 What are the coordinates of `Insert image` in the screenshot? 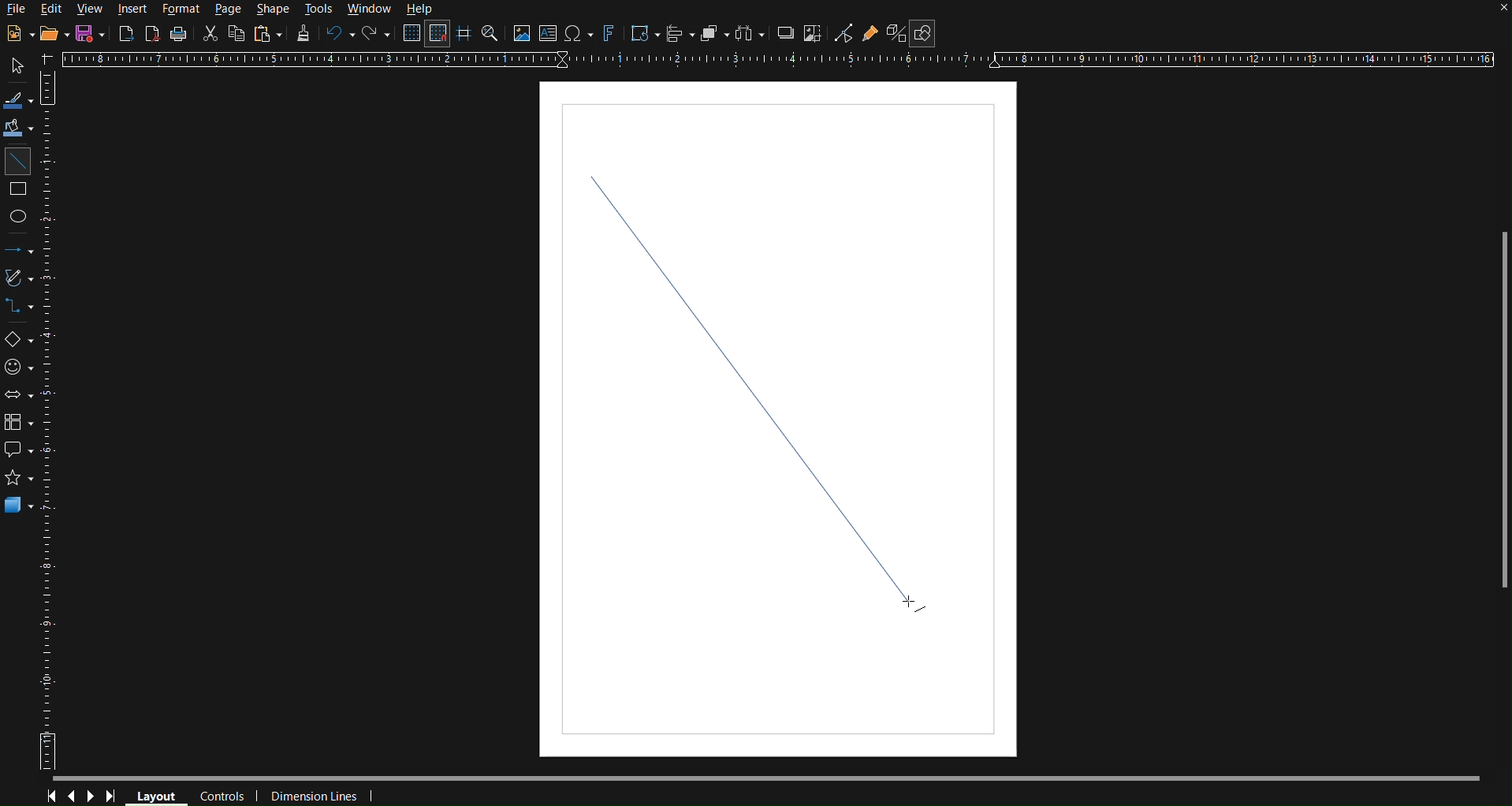 It's located at (520, 34).